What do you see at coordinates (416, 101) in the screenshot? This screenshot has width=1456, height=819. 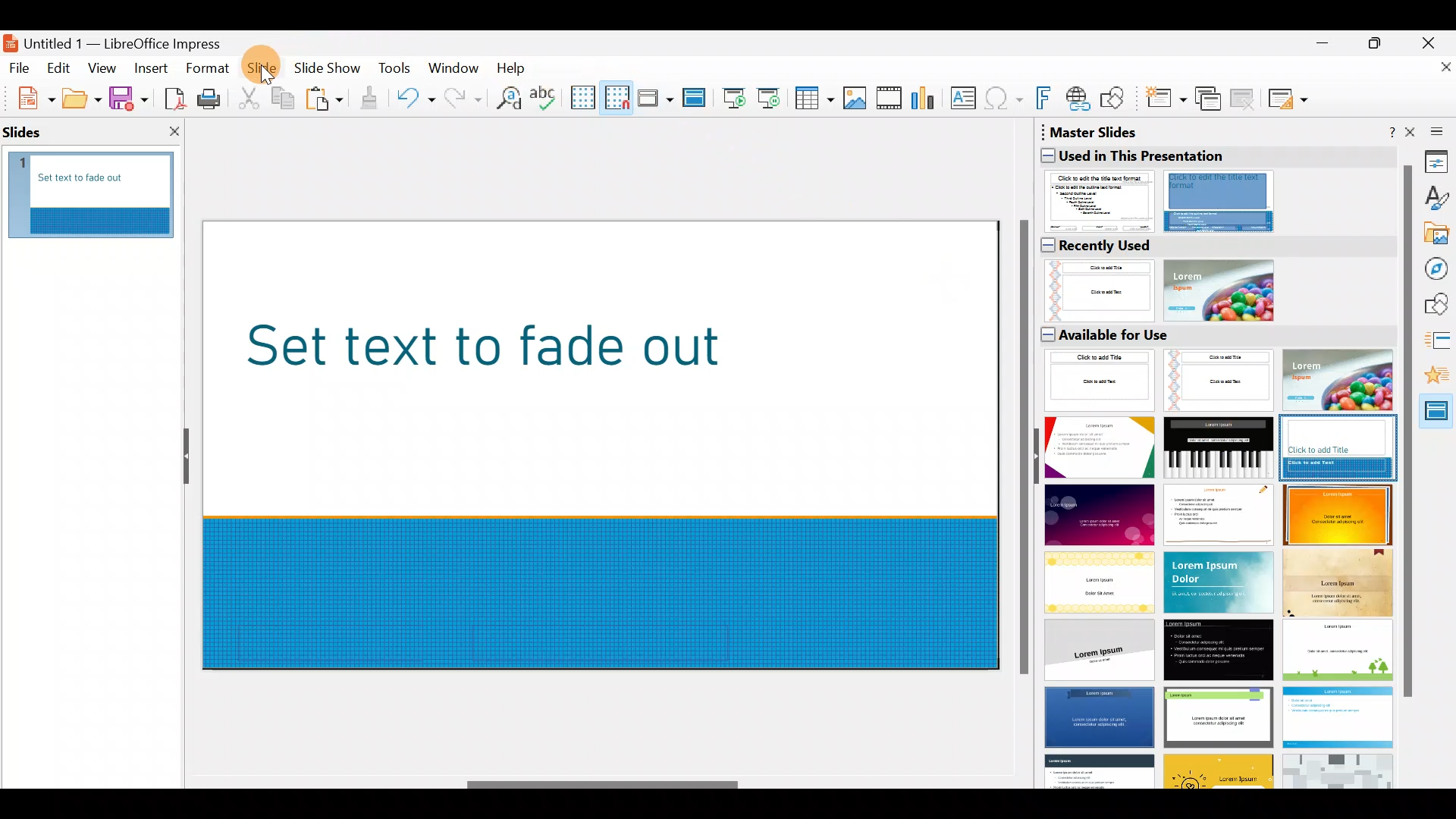 I see `Undo` at bounding box center [416, 101].